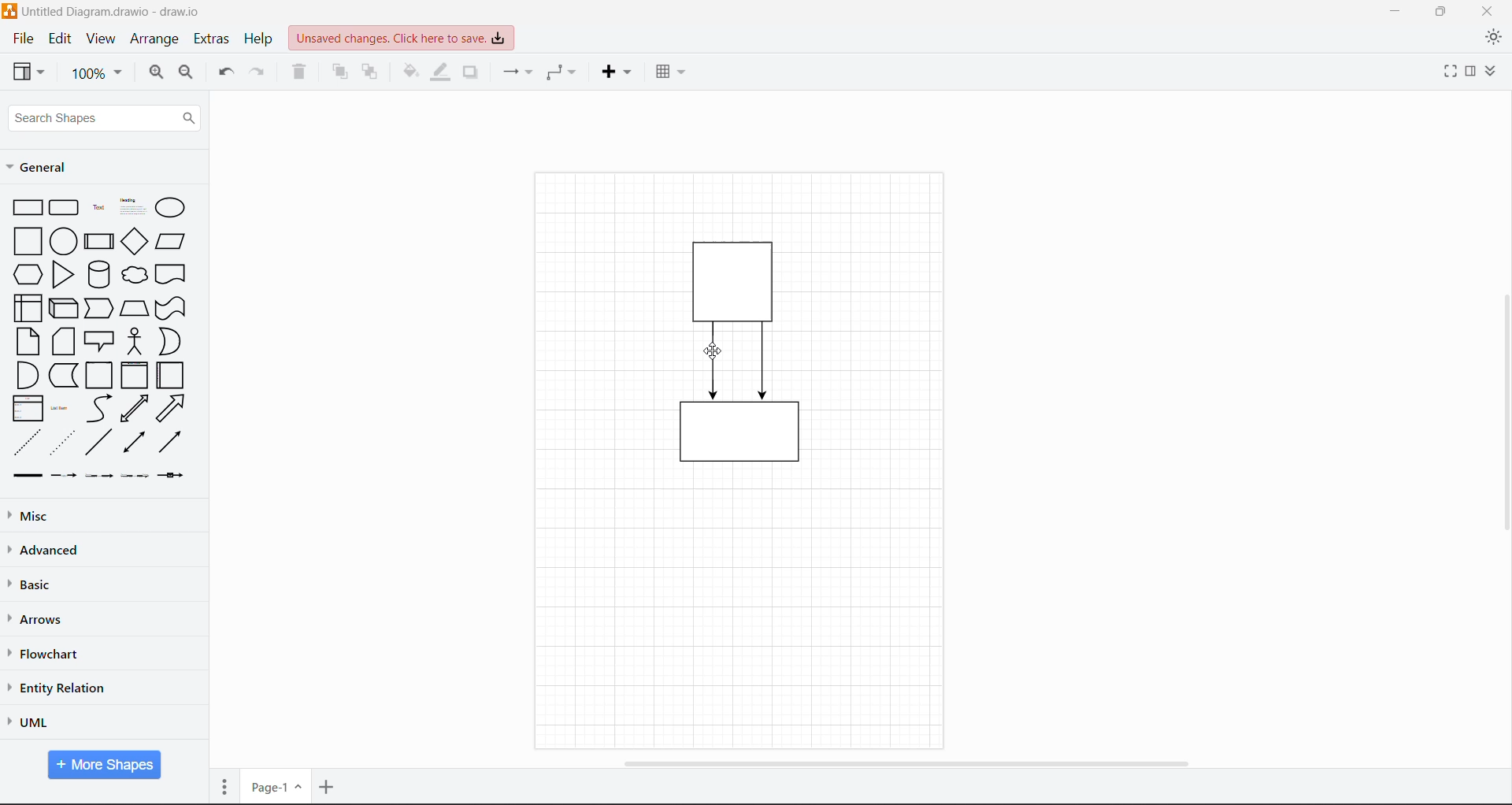  Describe the element at coordinates (132, 443) in the screenshot. I see `bidirectional connector` at that location.